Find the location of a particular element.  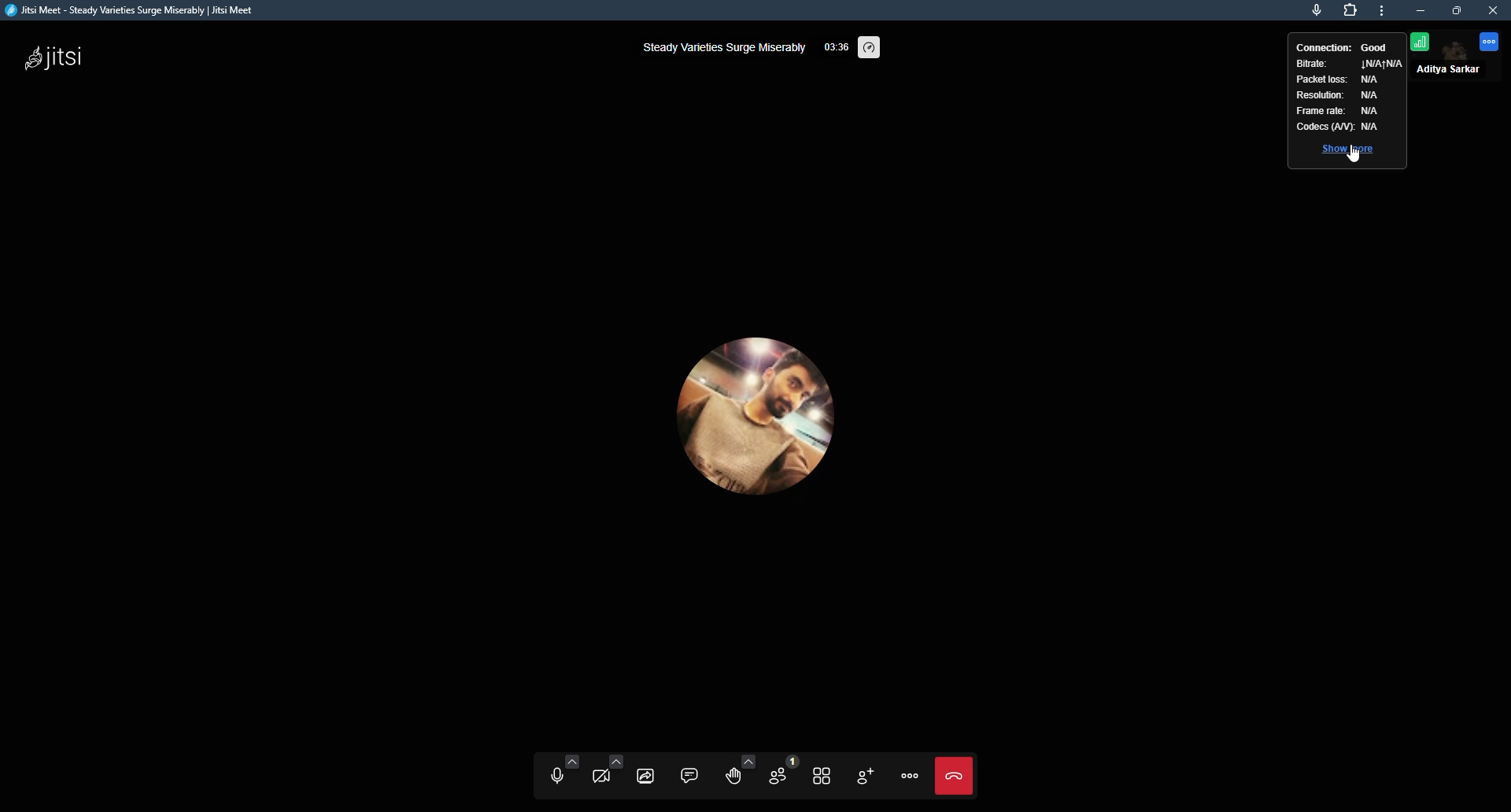

maximize is located at coordinates (1460, 12).